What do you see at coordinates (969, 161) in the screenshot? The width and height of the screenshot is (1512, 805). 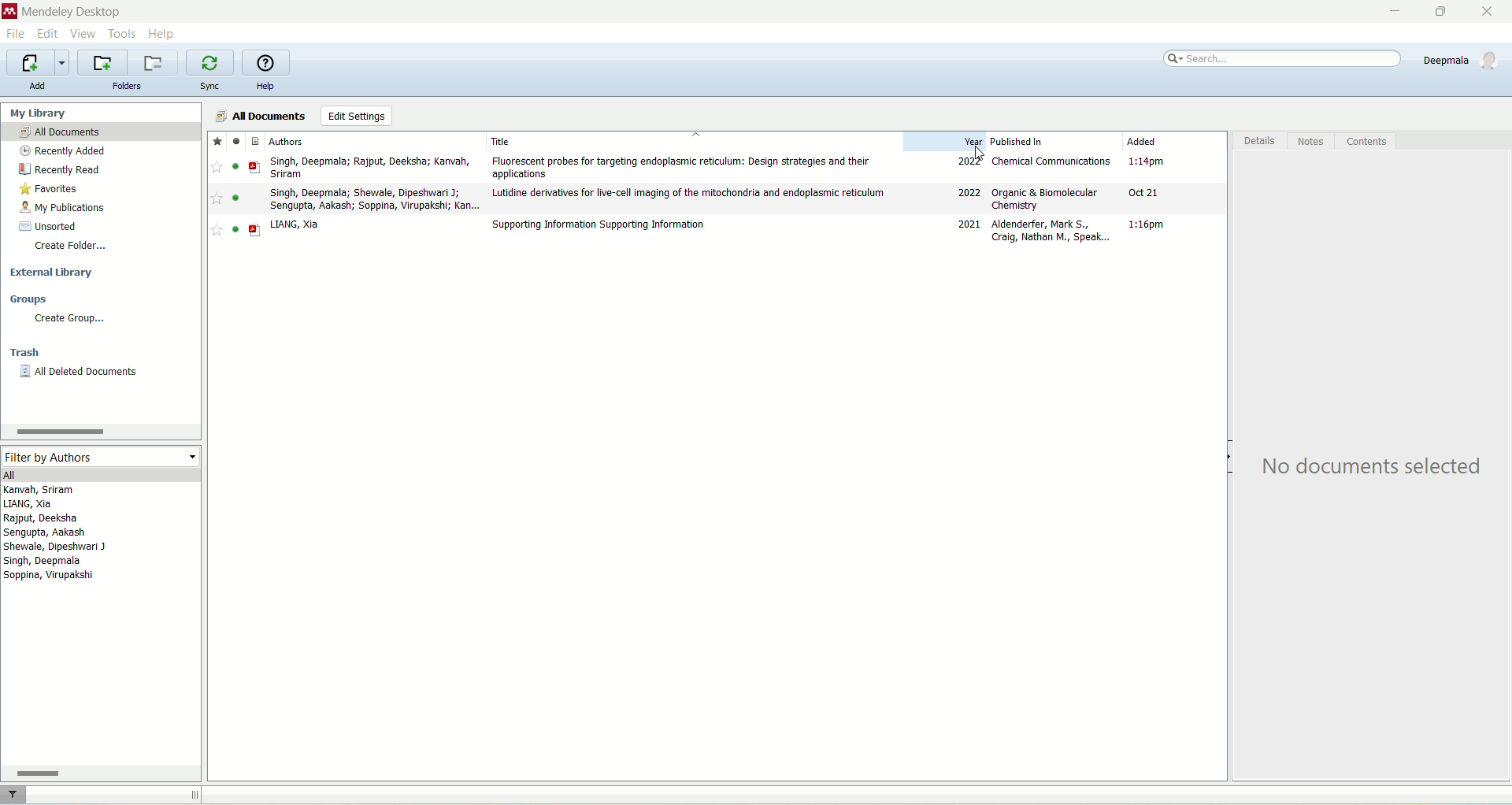 I see `2022` at bounding box center [969, 161].